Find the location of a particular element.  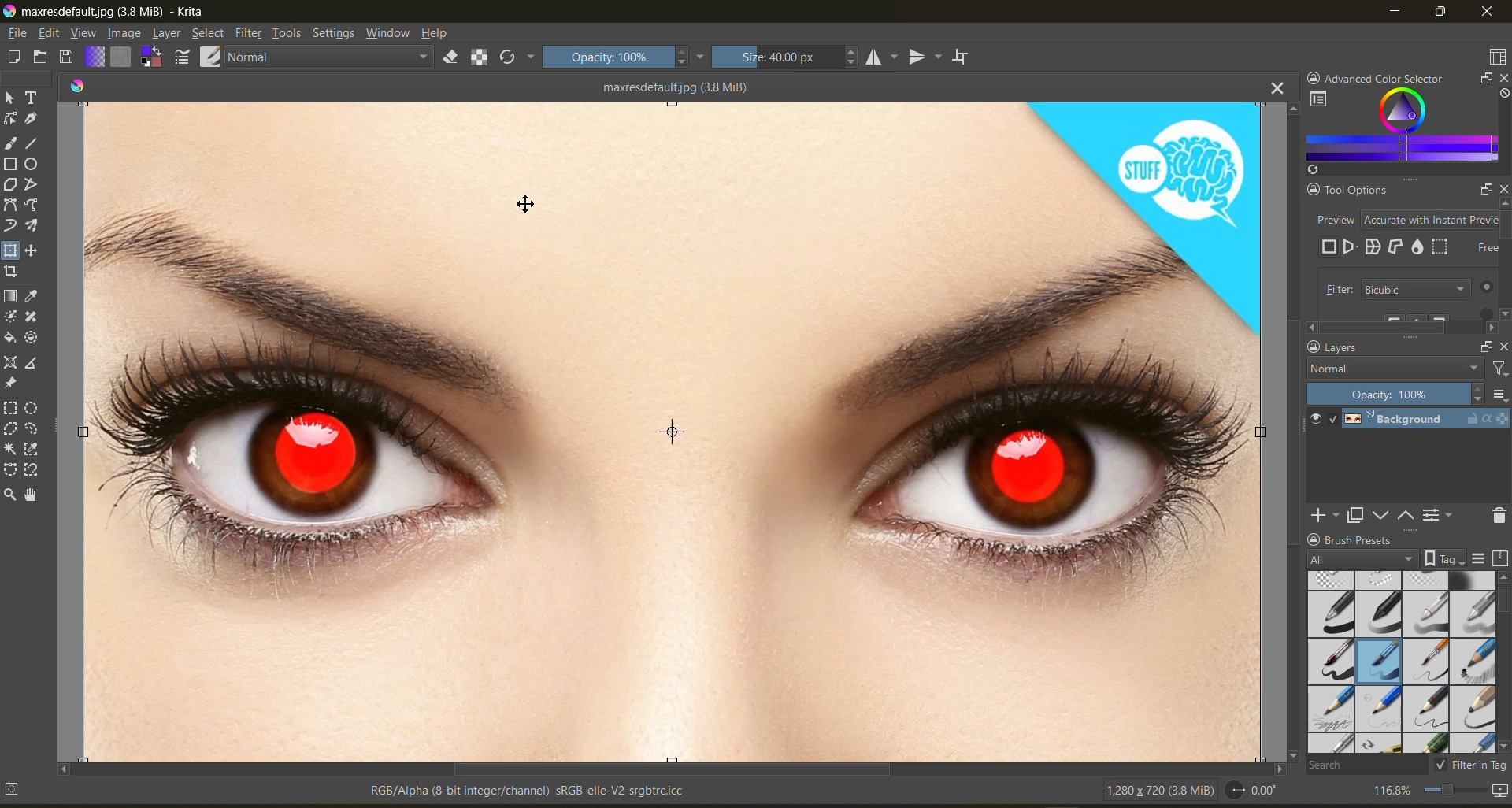

tool is located at coordinates (32, 206).